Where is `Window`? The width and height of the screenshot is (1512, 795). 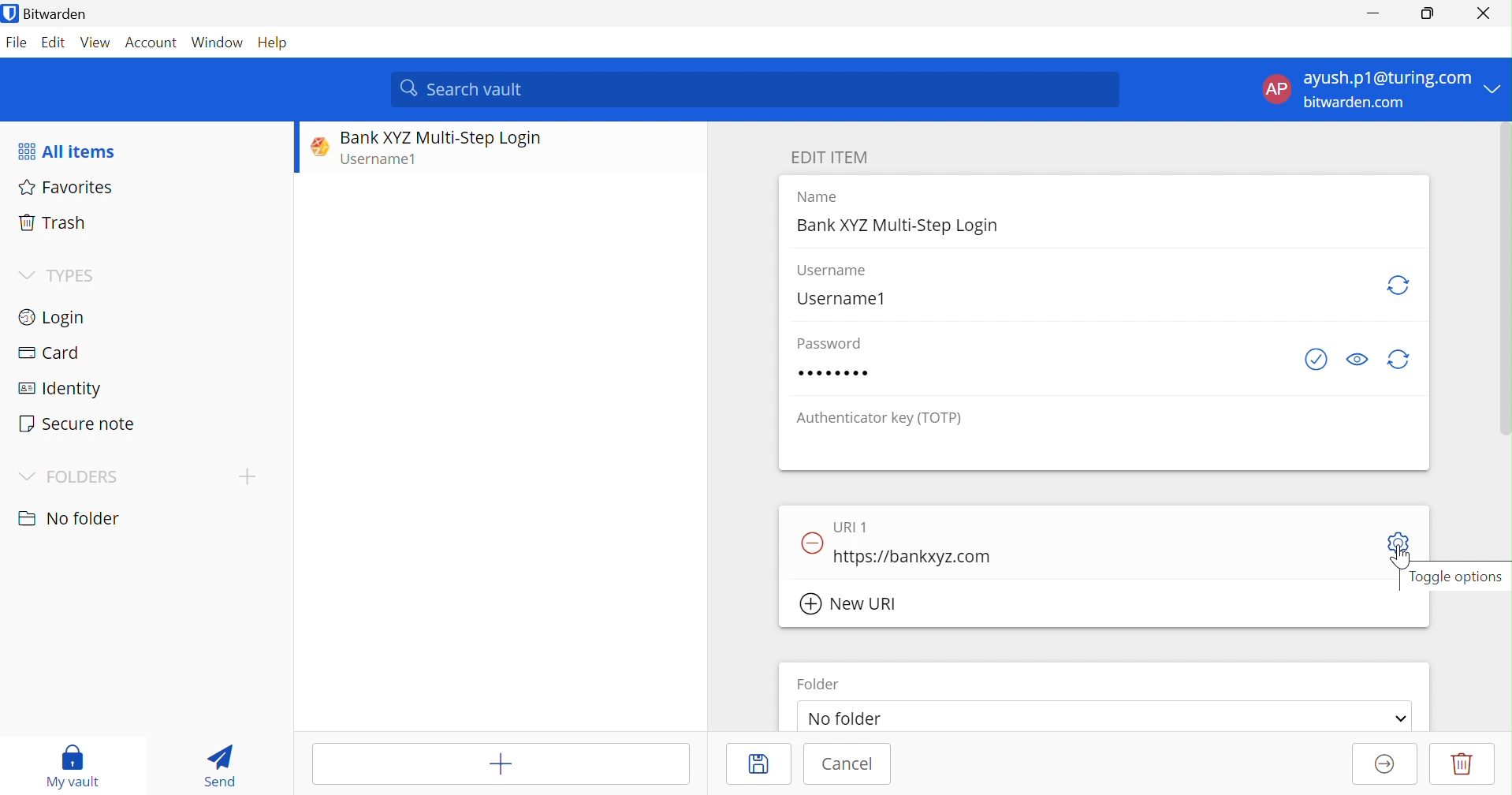
Window is located at coordinates (218, 44).